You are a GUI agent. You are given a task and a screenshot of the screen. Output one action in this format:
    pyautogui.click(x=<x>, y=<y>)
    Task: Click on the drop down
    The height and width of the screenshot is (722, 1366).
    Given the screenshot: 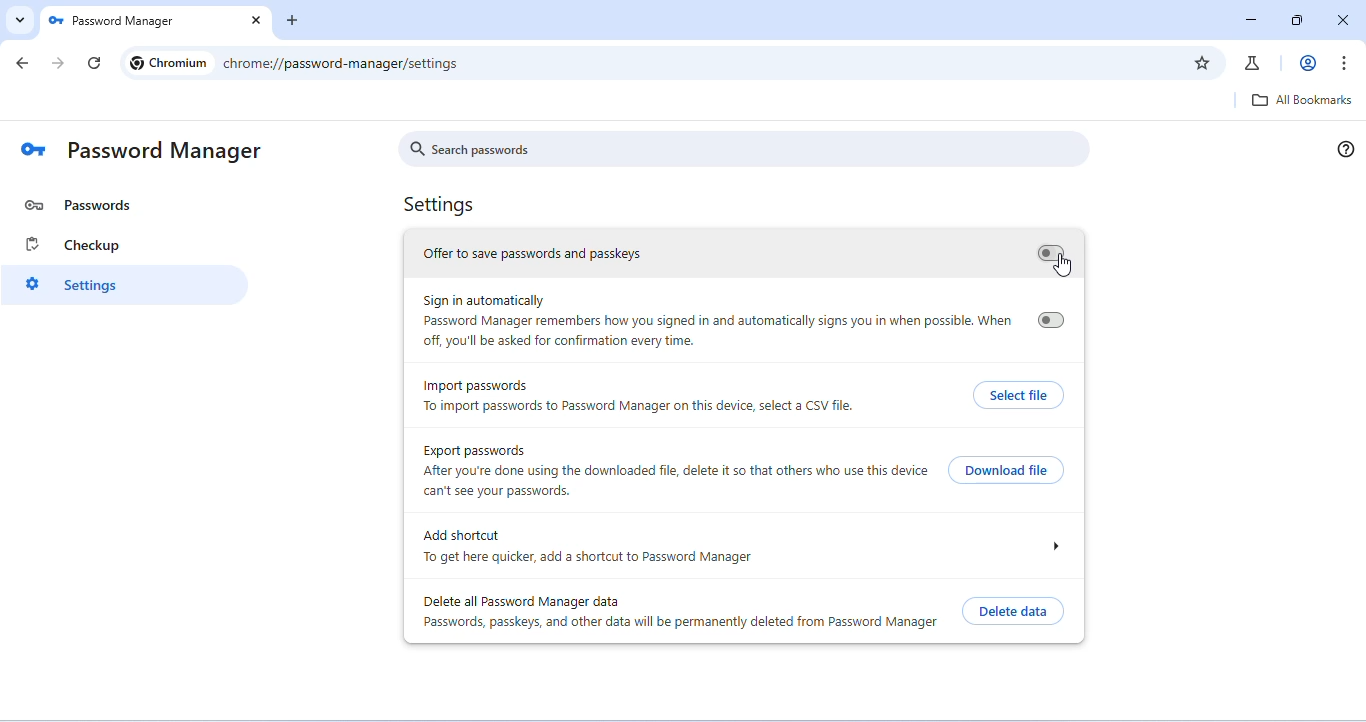 What is the action you would take?
    pyautogui.click(x=1055, y=545)
    